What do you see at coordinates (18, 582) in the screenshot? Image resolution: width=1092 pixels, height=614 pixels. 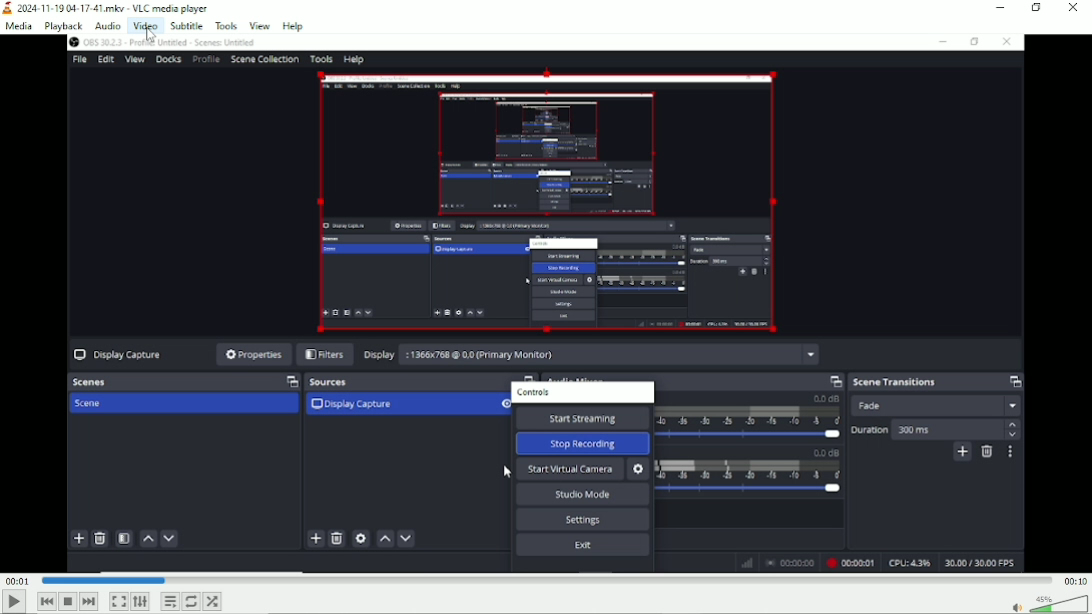 I see `Elapsed time` at bounding box center [18, 582].